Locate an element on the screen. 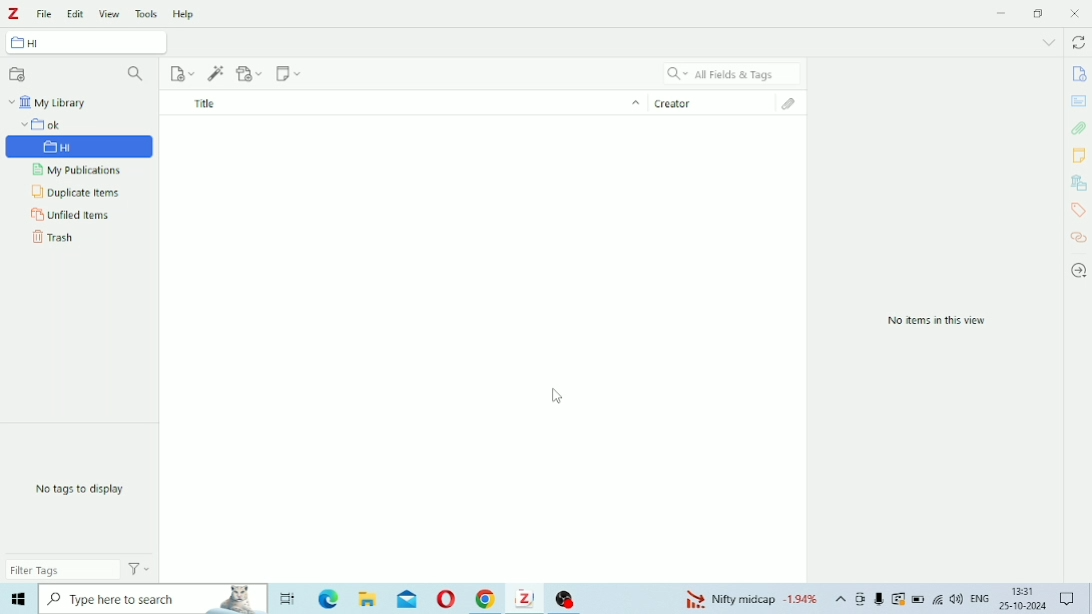 The image size is (1092, 614). Show hidden icons is located at coordinates (841, 599).